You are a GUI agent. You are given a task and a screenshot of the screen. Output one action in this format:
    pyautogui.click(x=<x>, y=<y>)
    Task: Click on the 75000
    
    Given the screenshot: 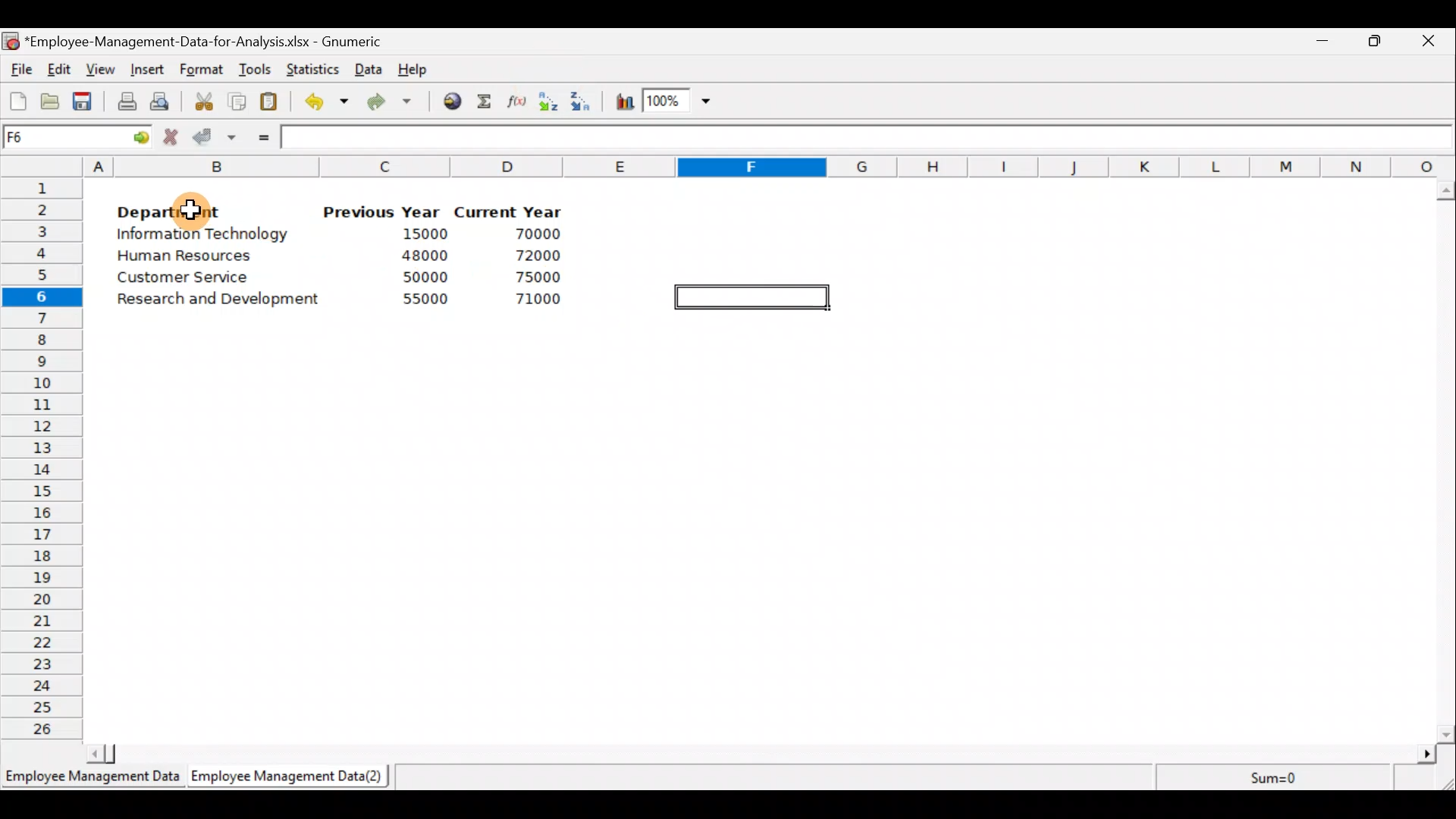 What is the action you would take?
    pyautogui.click(x=532, y=278)
    